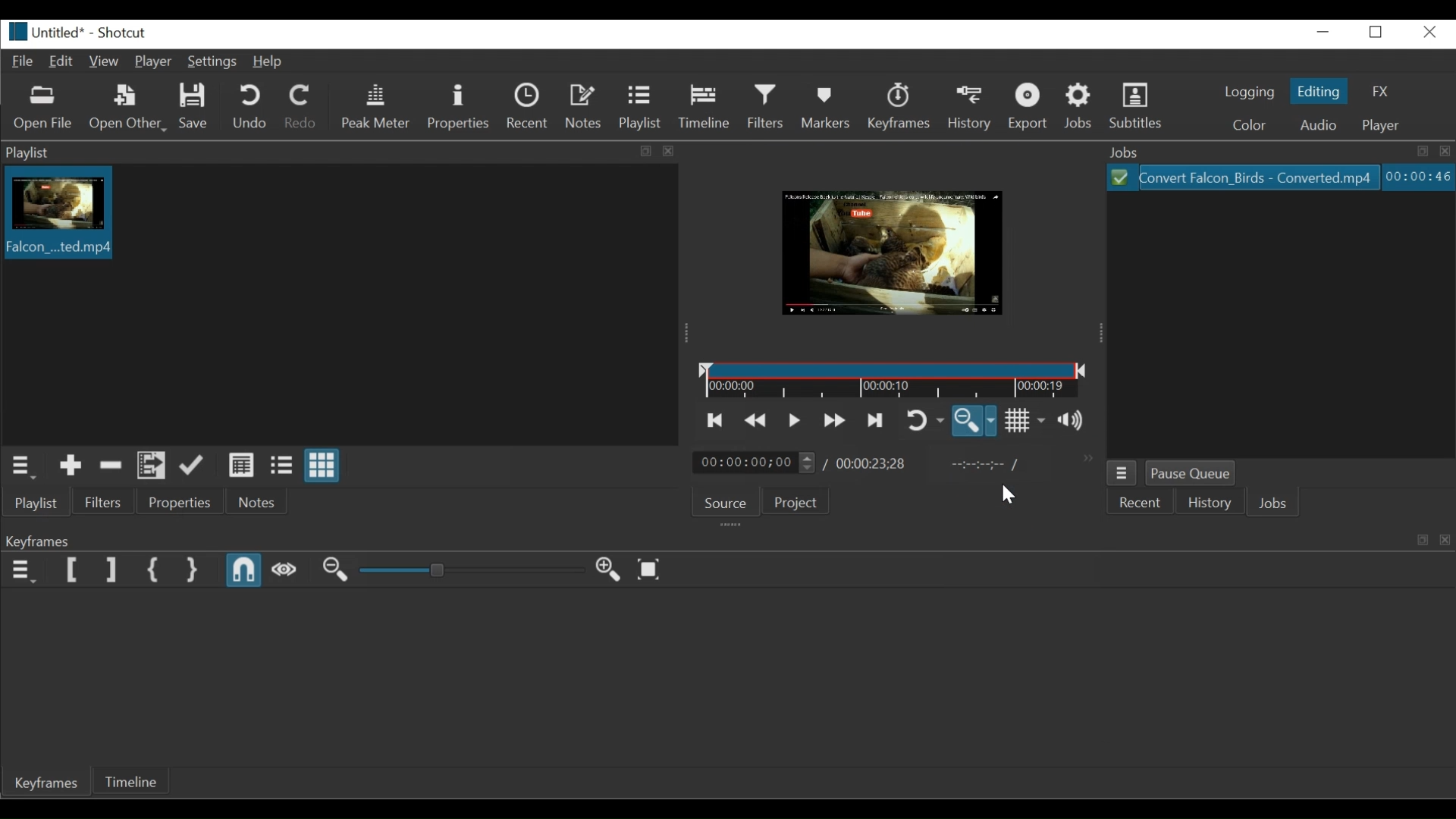 The width and height of the screenshot is (1456, 819). What do you see at coordinates (152, 570) in the screenshot?
I see `Set First Simple Keyframe` at bounding box center [152, 570].